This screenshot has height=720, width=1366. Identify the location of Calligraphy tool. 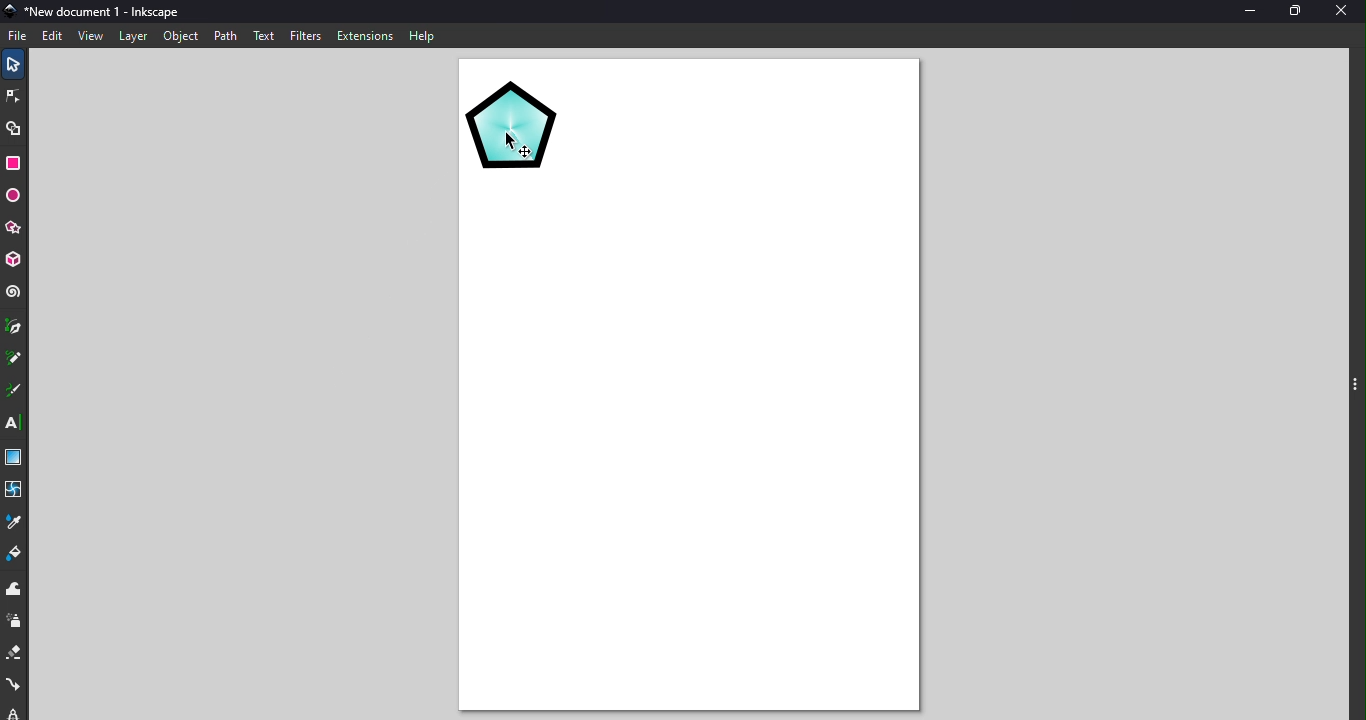
(13, 390).